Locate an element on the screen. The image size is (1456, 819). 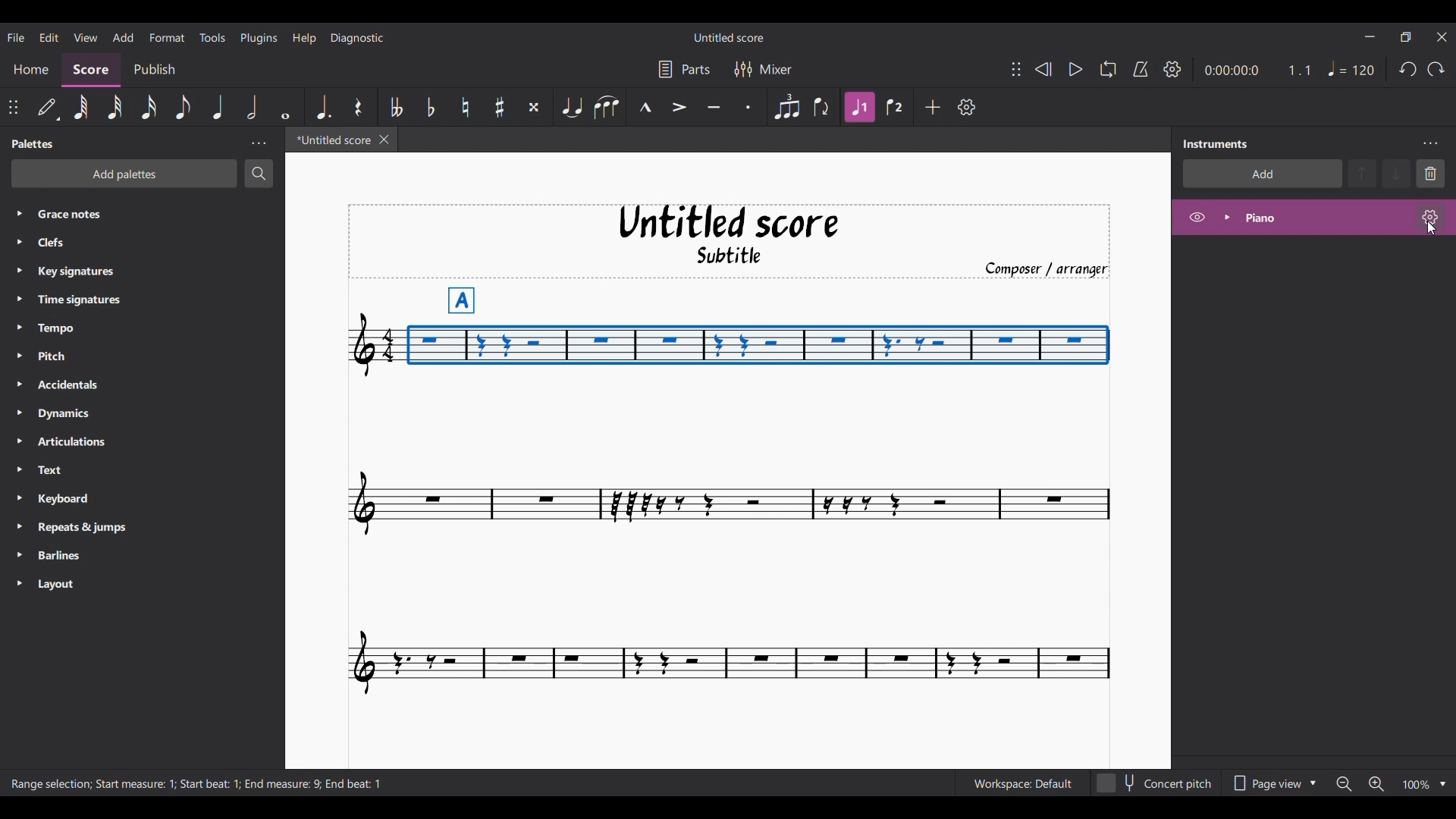
Layout is located at coordinates (79, 585).